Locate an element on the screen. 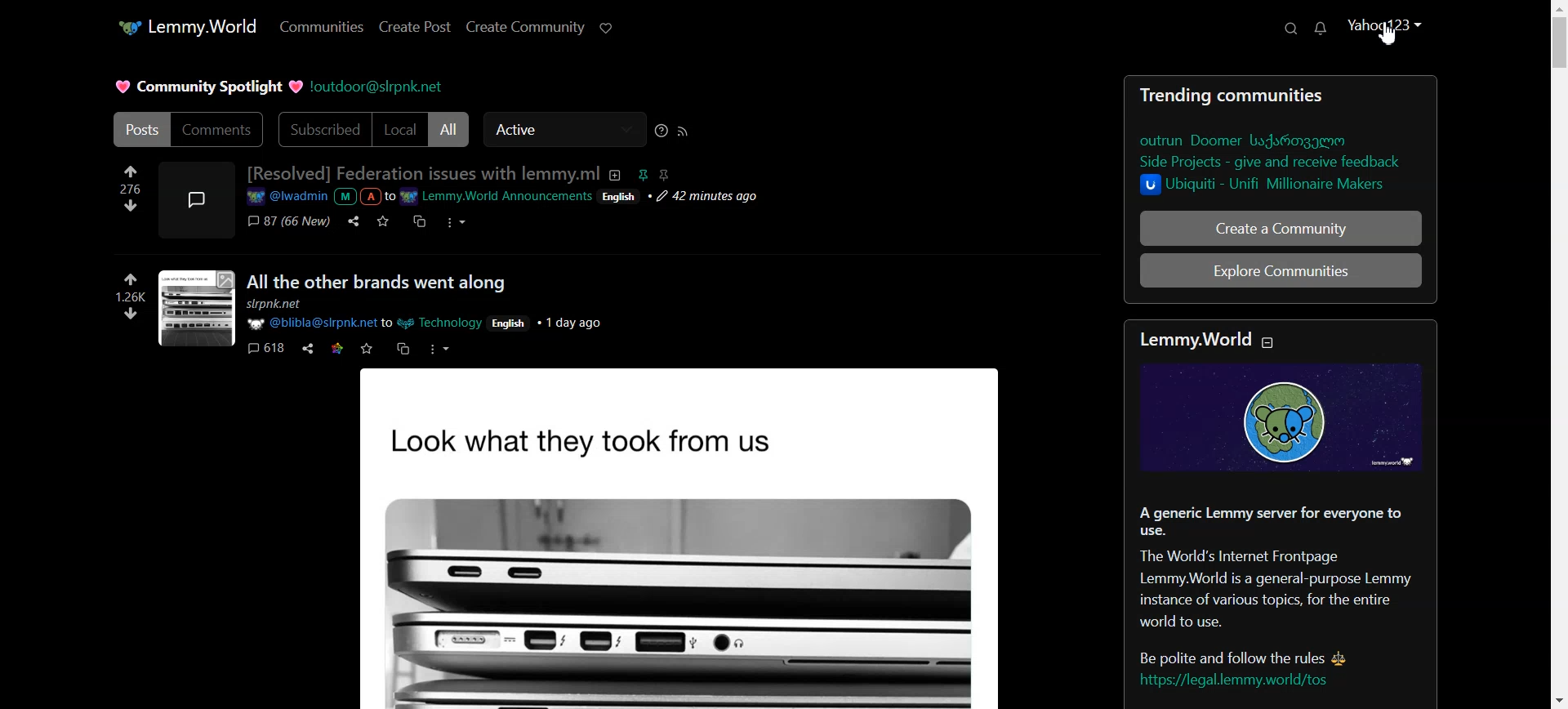 The height and width of the screenshot is (709, 1568). side projects - give and receive feedback is located at coordinates (1278, 163).